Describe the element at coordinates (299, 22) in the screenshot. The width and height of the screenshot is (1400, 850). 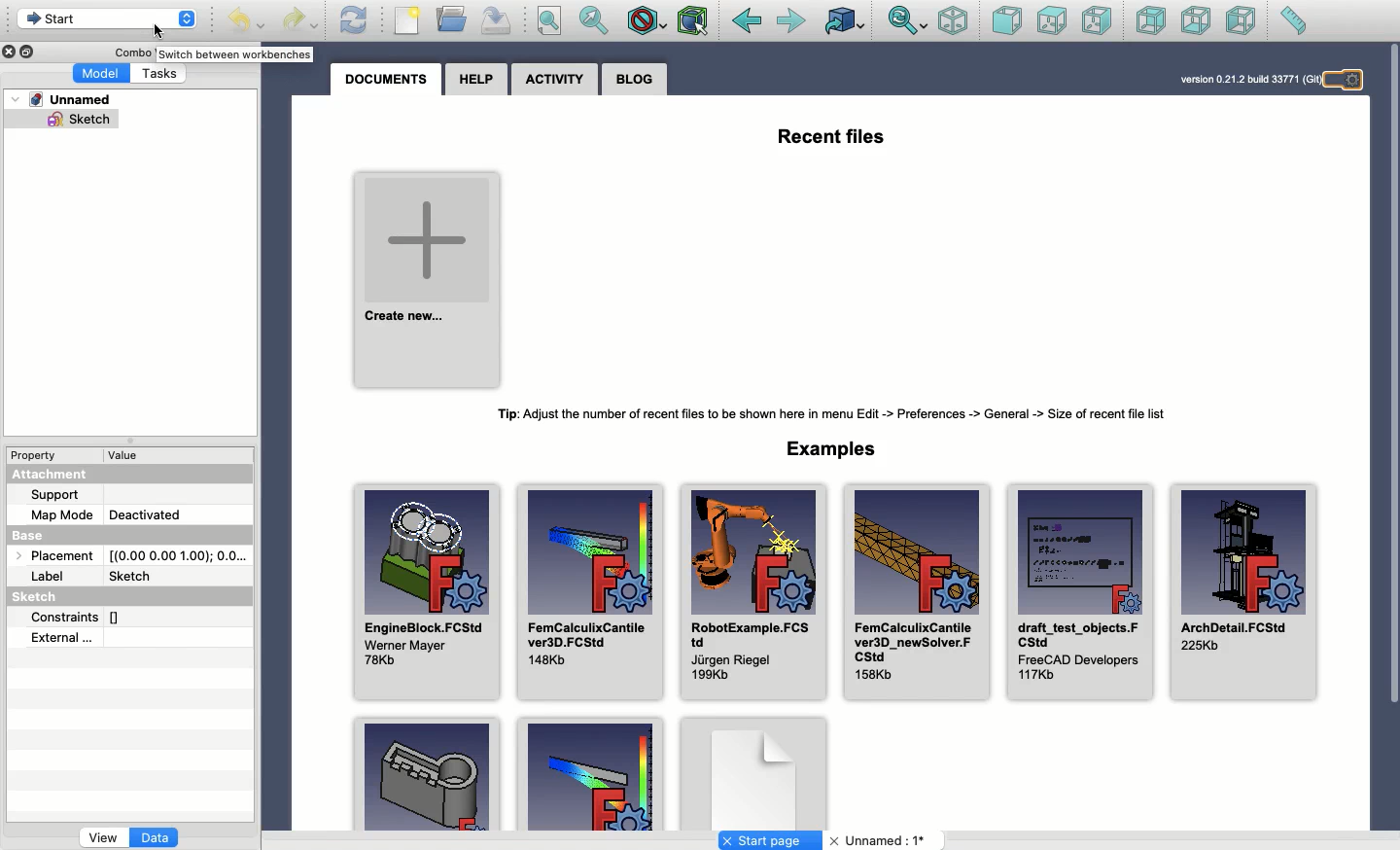
I see `Redo` at that location.